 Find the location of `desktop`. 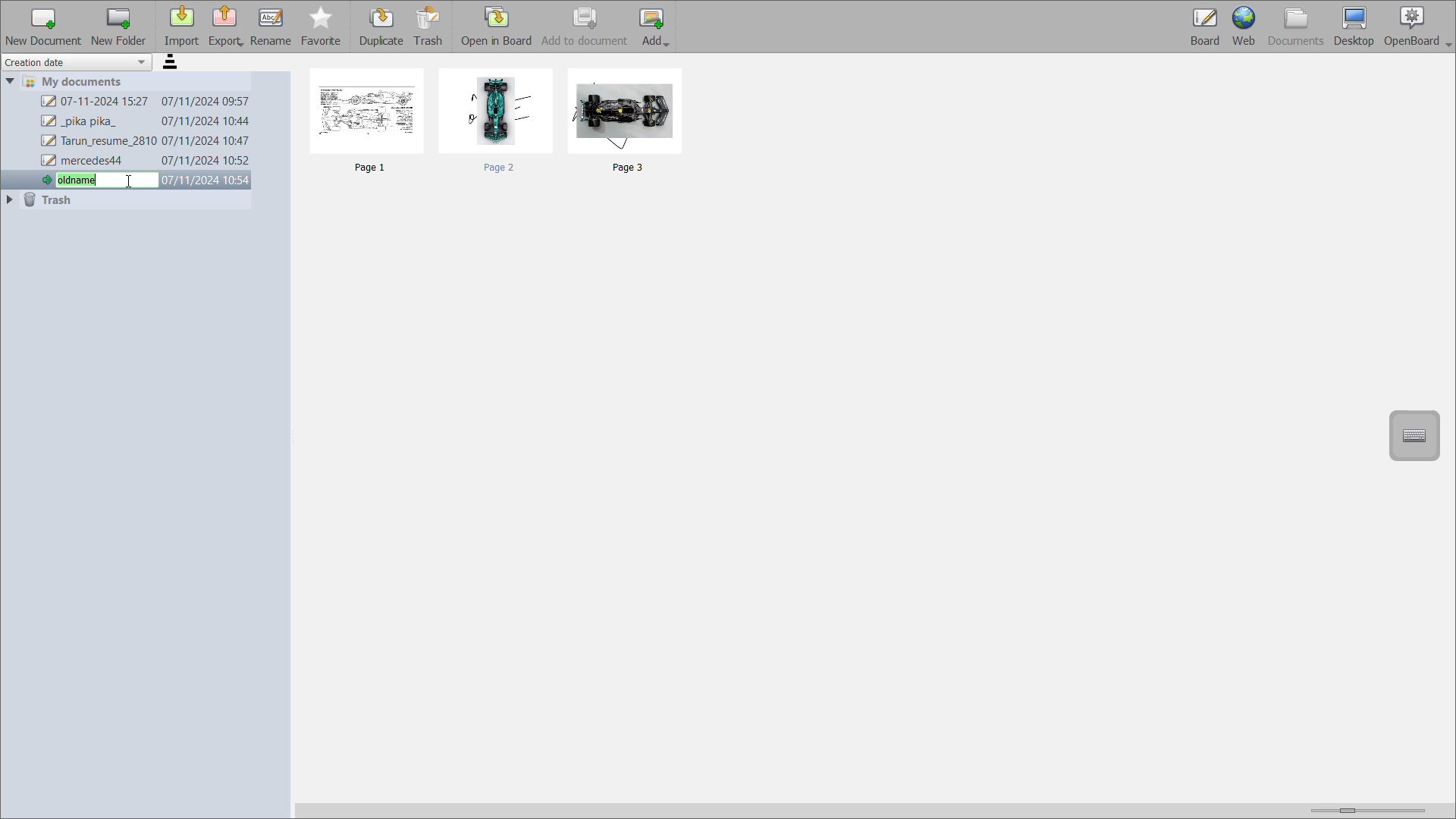

desktop is located at coordinates (1354, 24).